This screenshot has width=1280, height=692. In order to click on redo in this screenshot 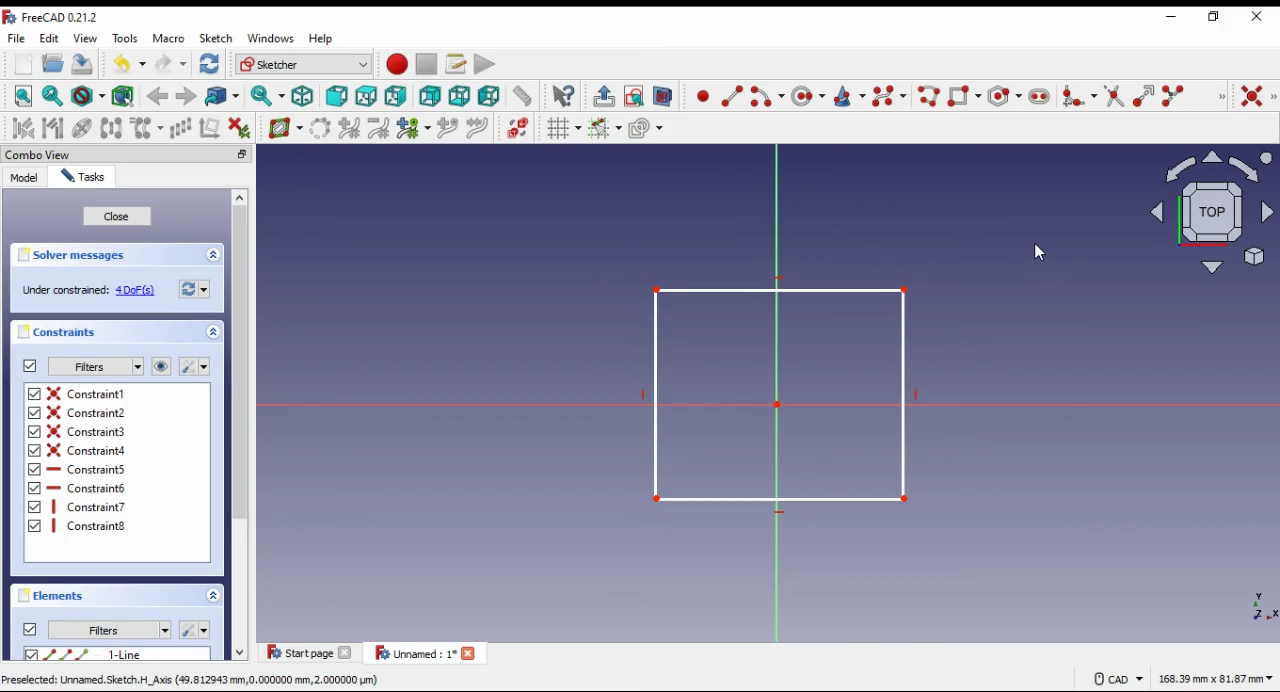, I will do `click(171, 64)`.